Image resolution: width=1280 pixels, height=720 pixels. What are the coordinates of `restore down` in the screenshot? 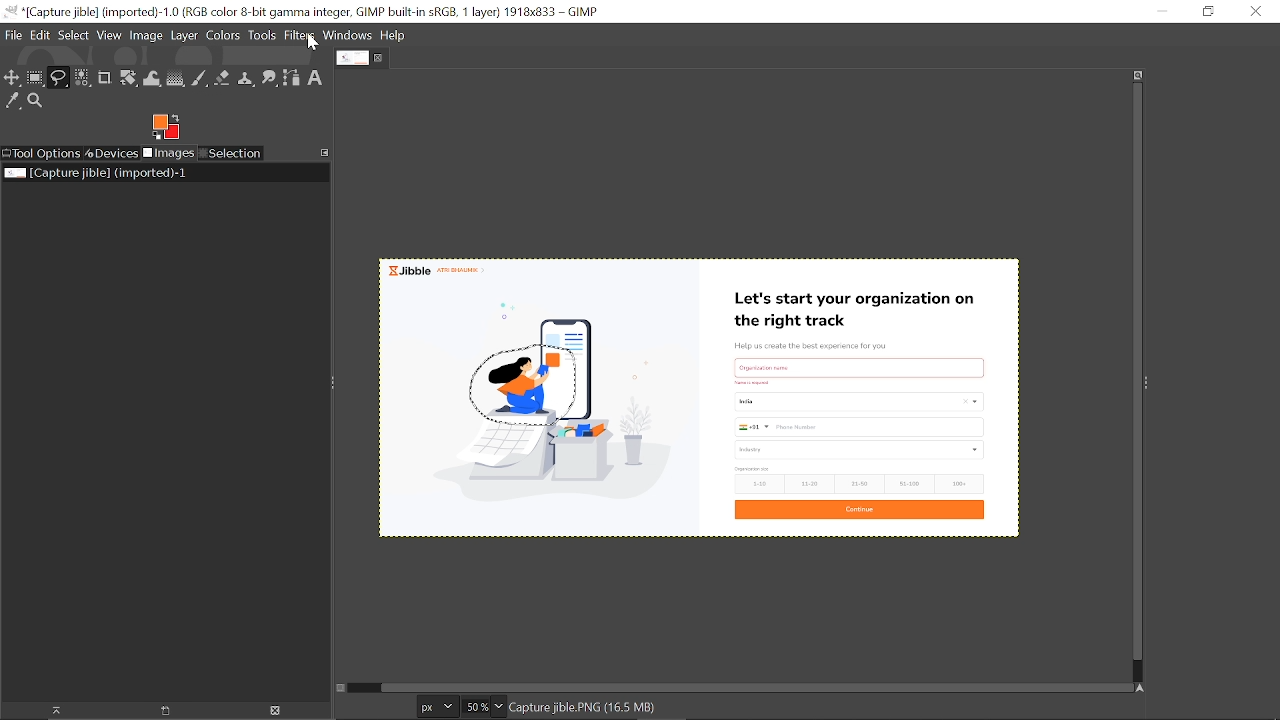 It's located at (1207, 11).